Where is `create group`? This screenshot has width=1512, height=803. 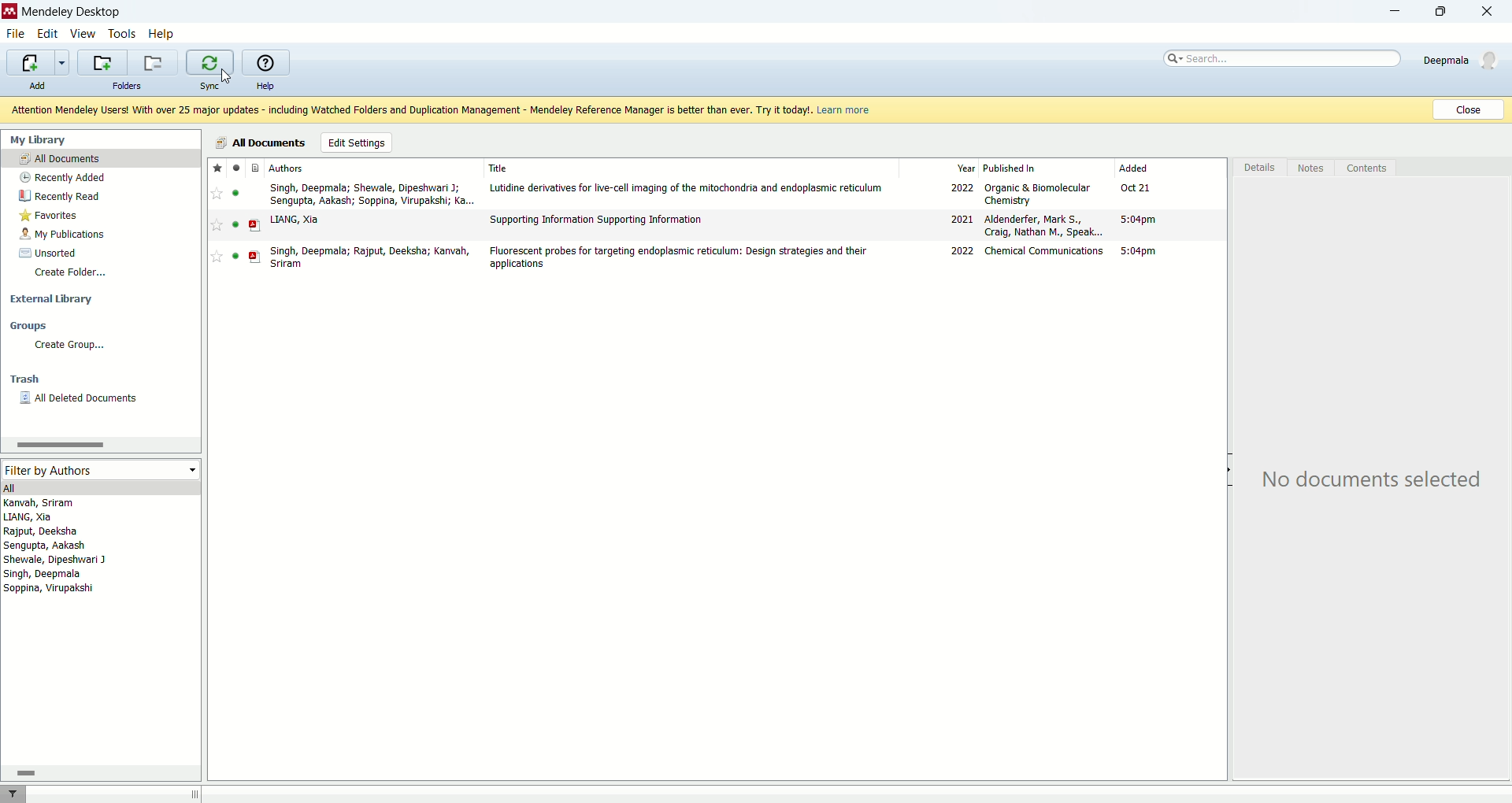 create group is located at coordinates (69, 346).